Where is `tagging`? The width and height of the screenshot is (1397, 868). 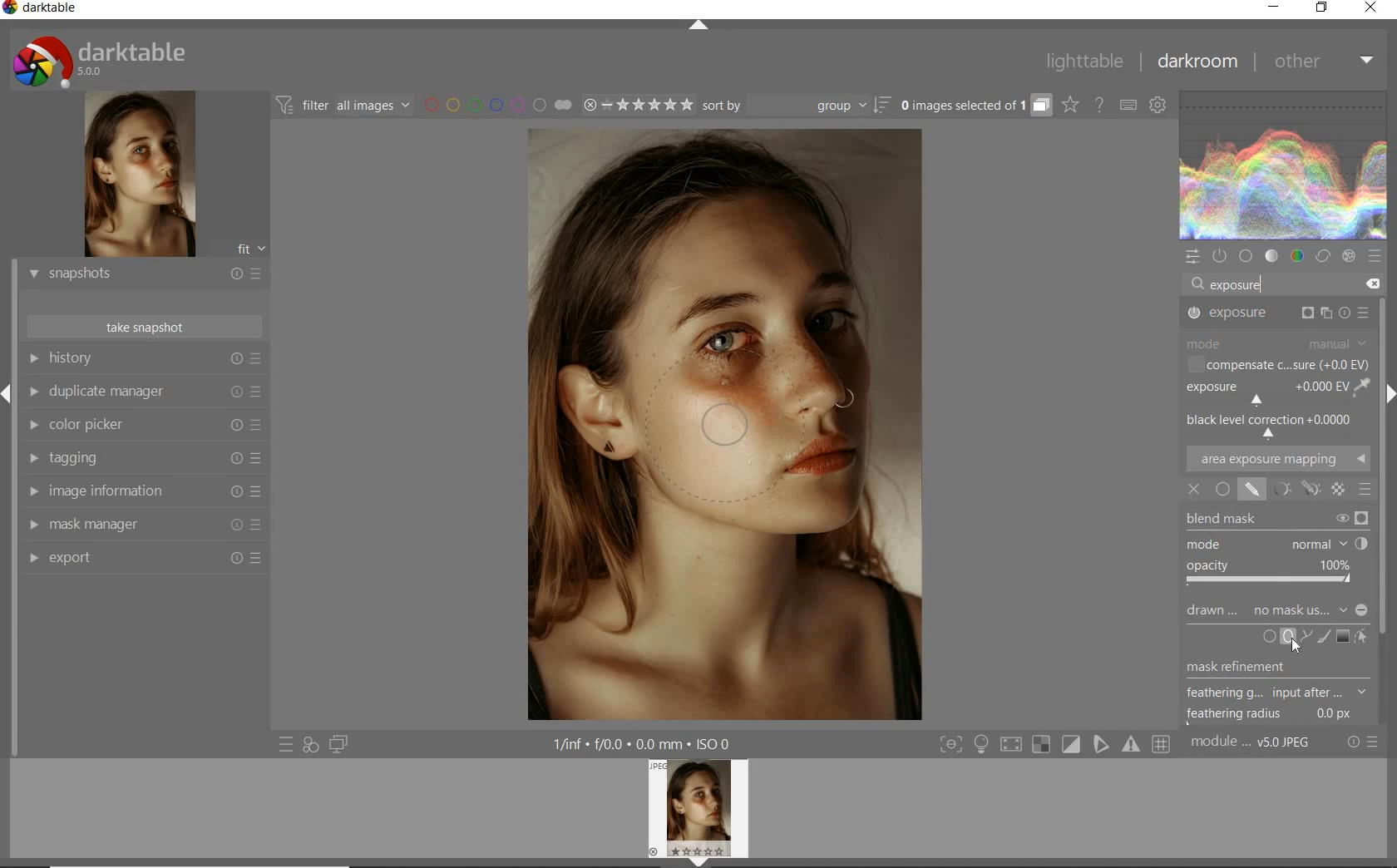
tagging is located at coordinates (143, 456).